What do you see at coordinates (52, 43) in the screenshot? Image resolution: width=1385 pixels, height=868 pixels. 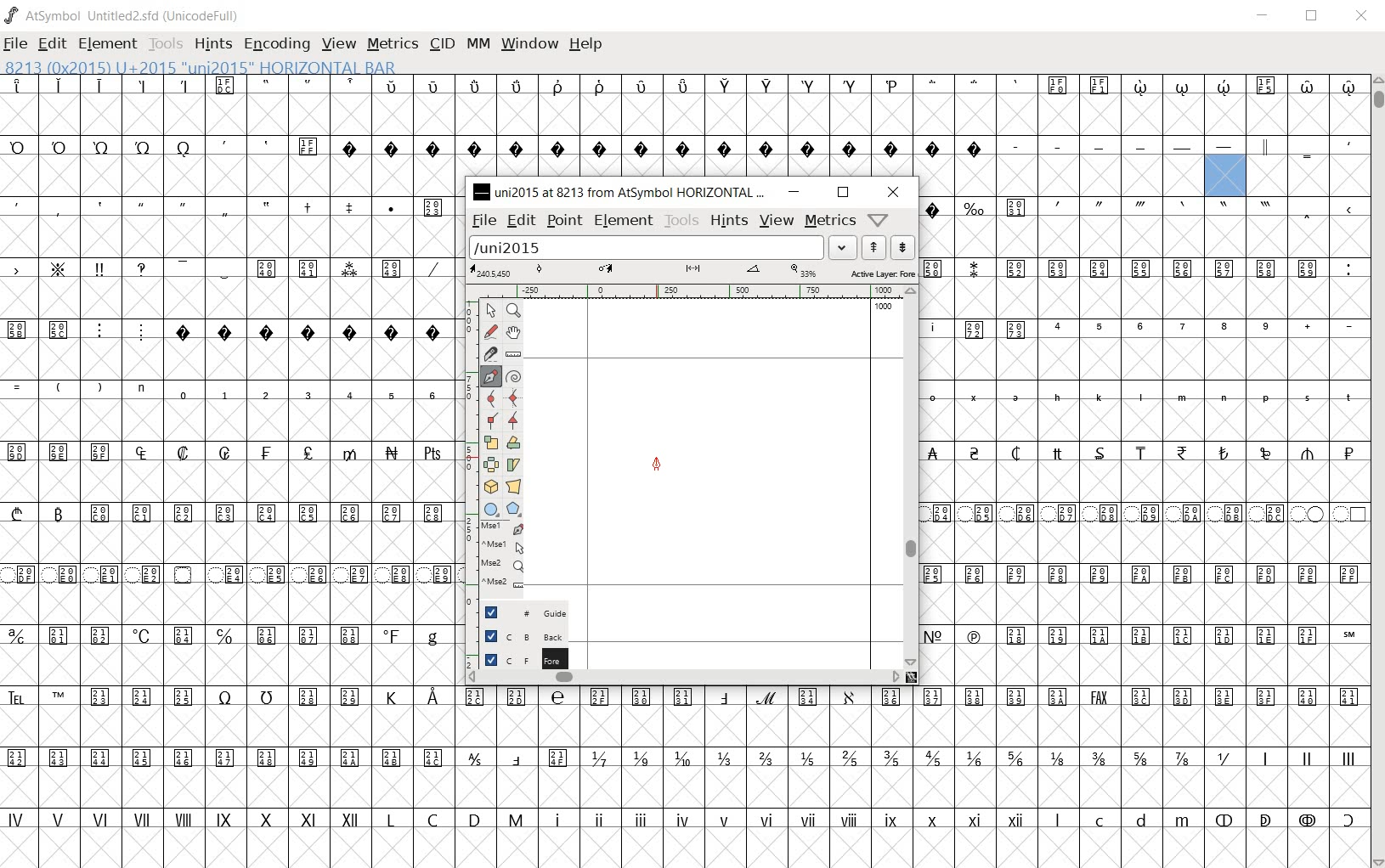 I see `EDIT` at bounding box center [52, 43].